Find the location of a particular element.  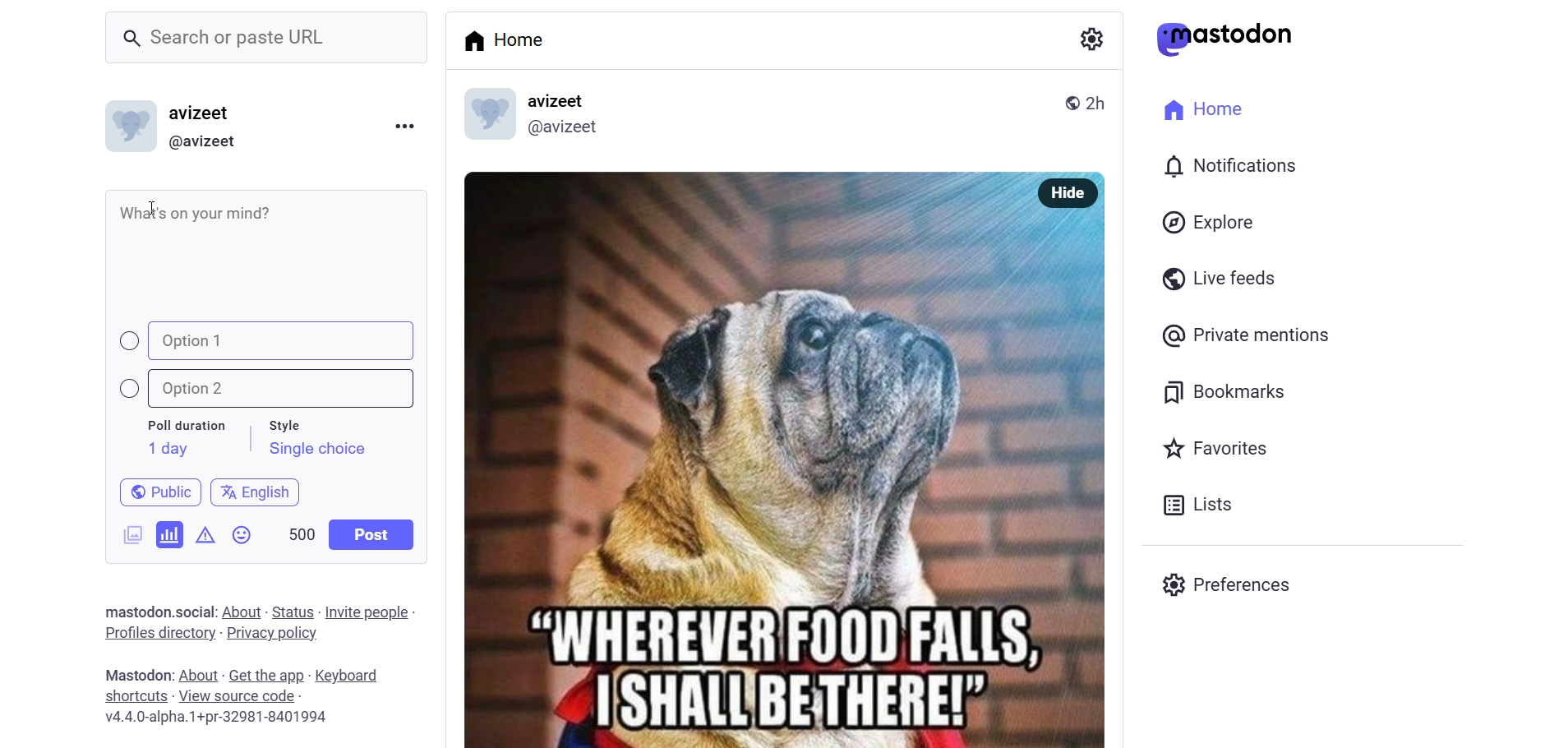

get the app is located at coordinates (267, 674).